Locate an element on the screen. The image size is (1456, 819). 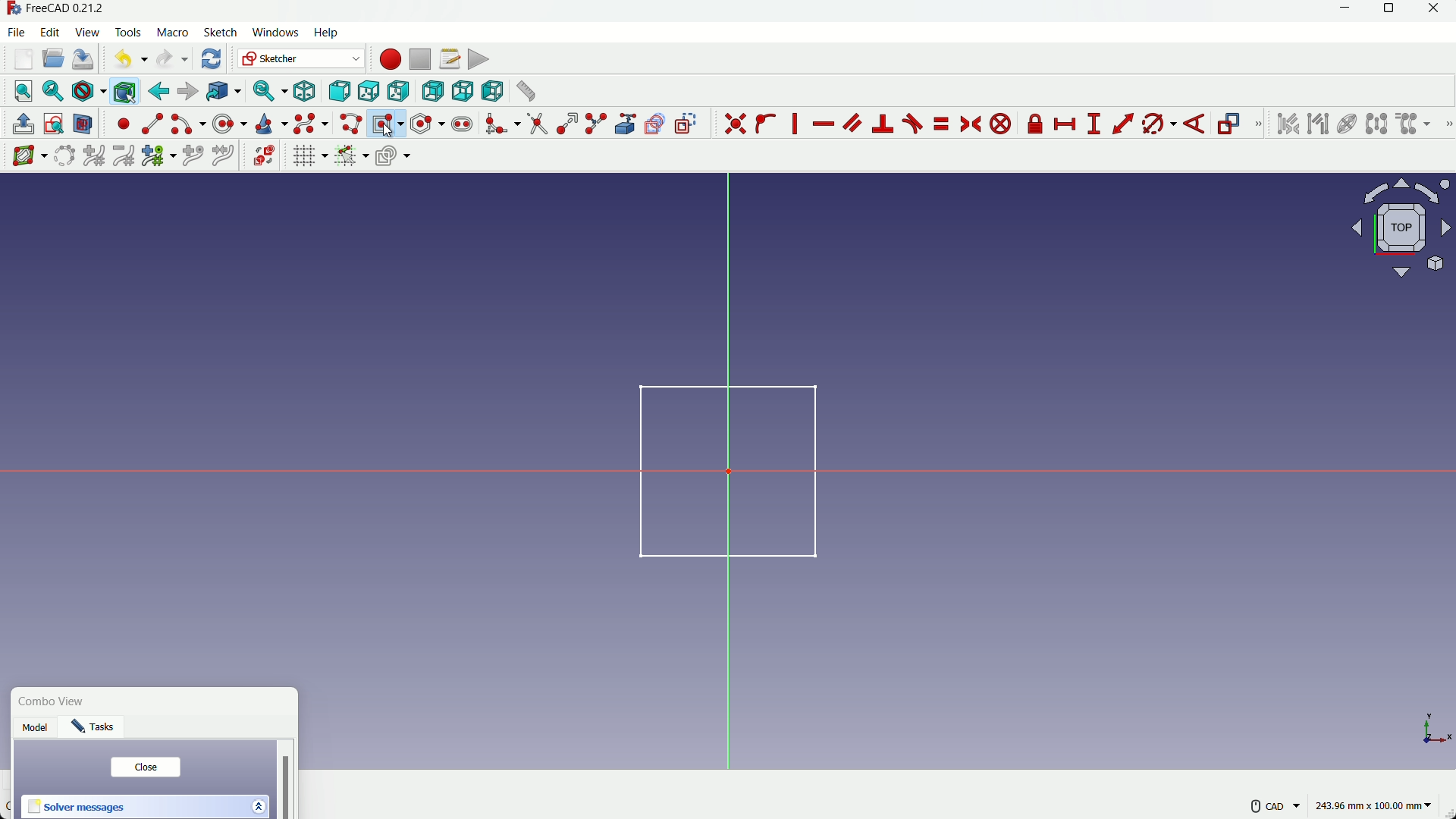
leave sketch is located at coordinates (24, 124).